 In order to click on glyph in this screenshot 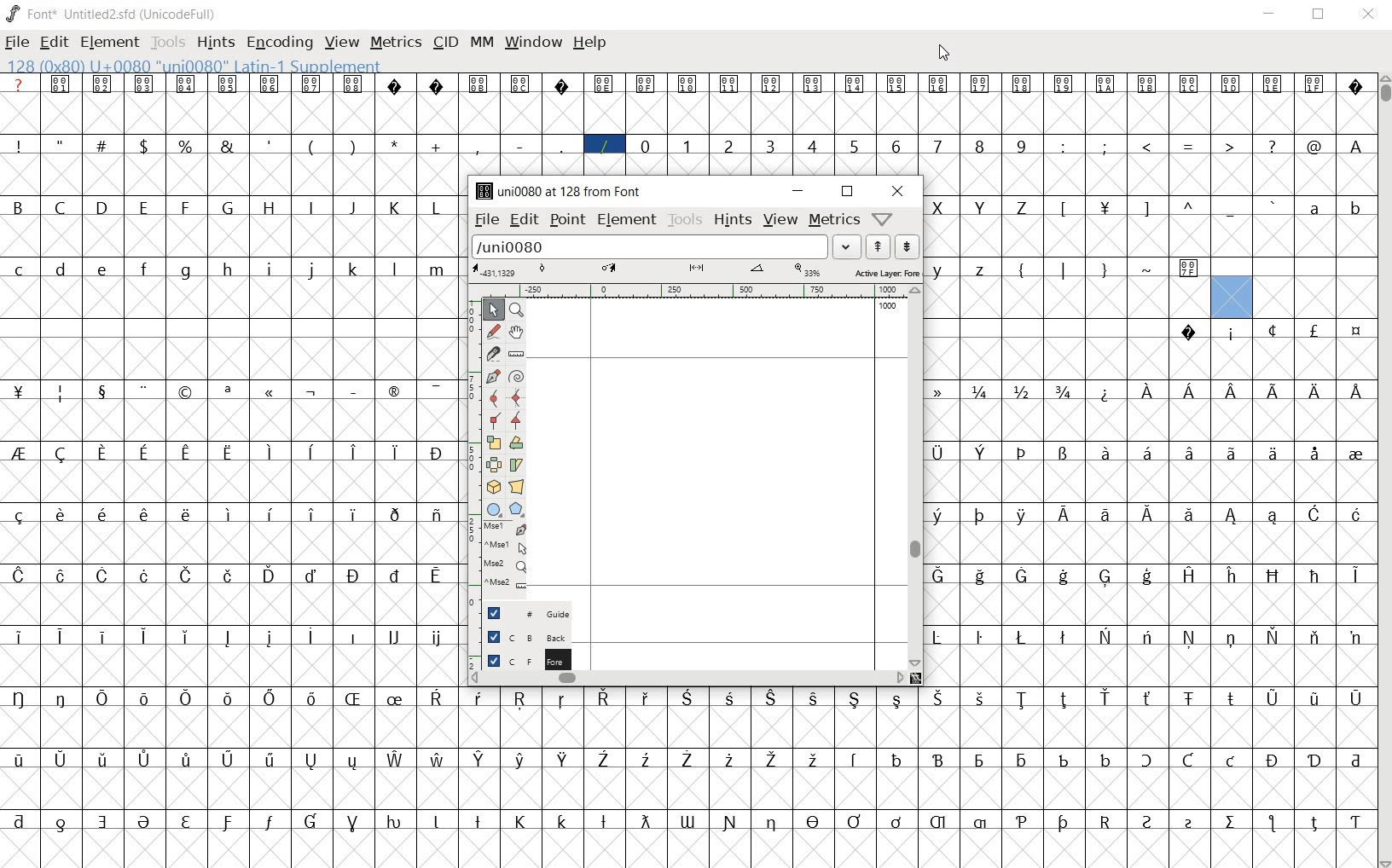, I will do `click(103, 393)`.